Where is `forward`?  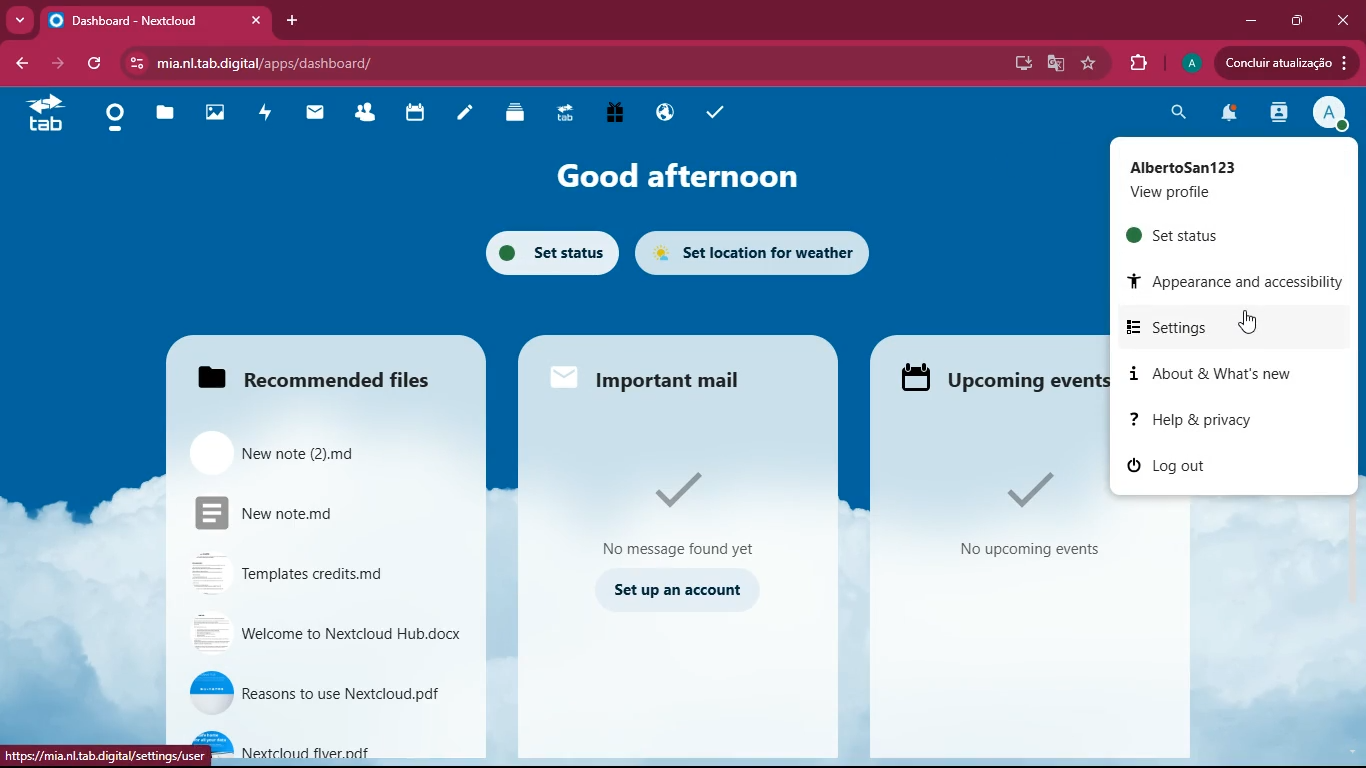
forward is located at coordinates (61, 64).